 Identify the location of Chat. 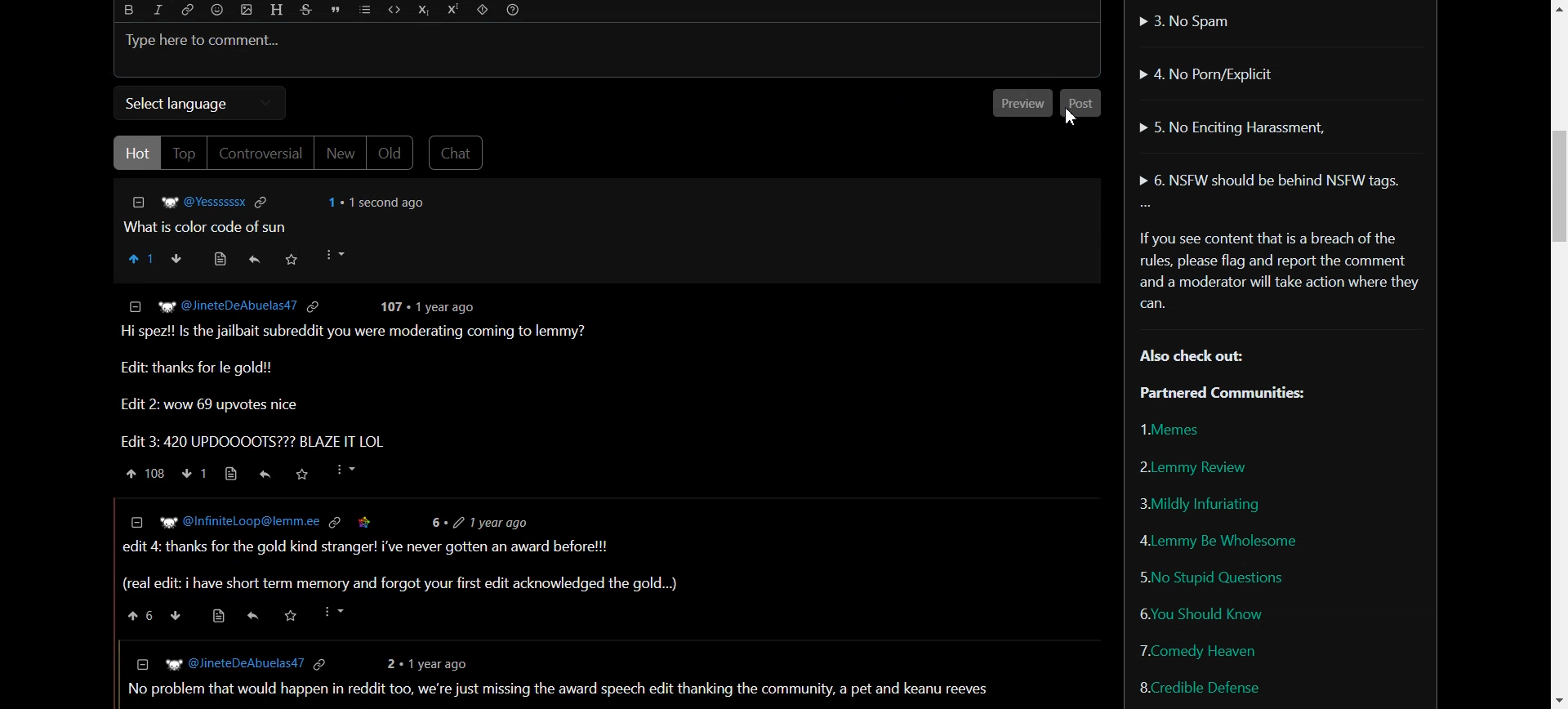
(456, 154).